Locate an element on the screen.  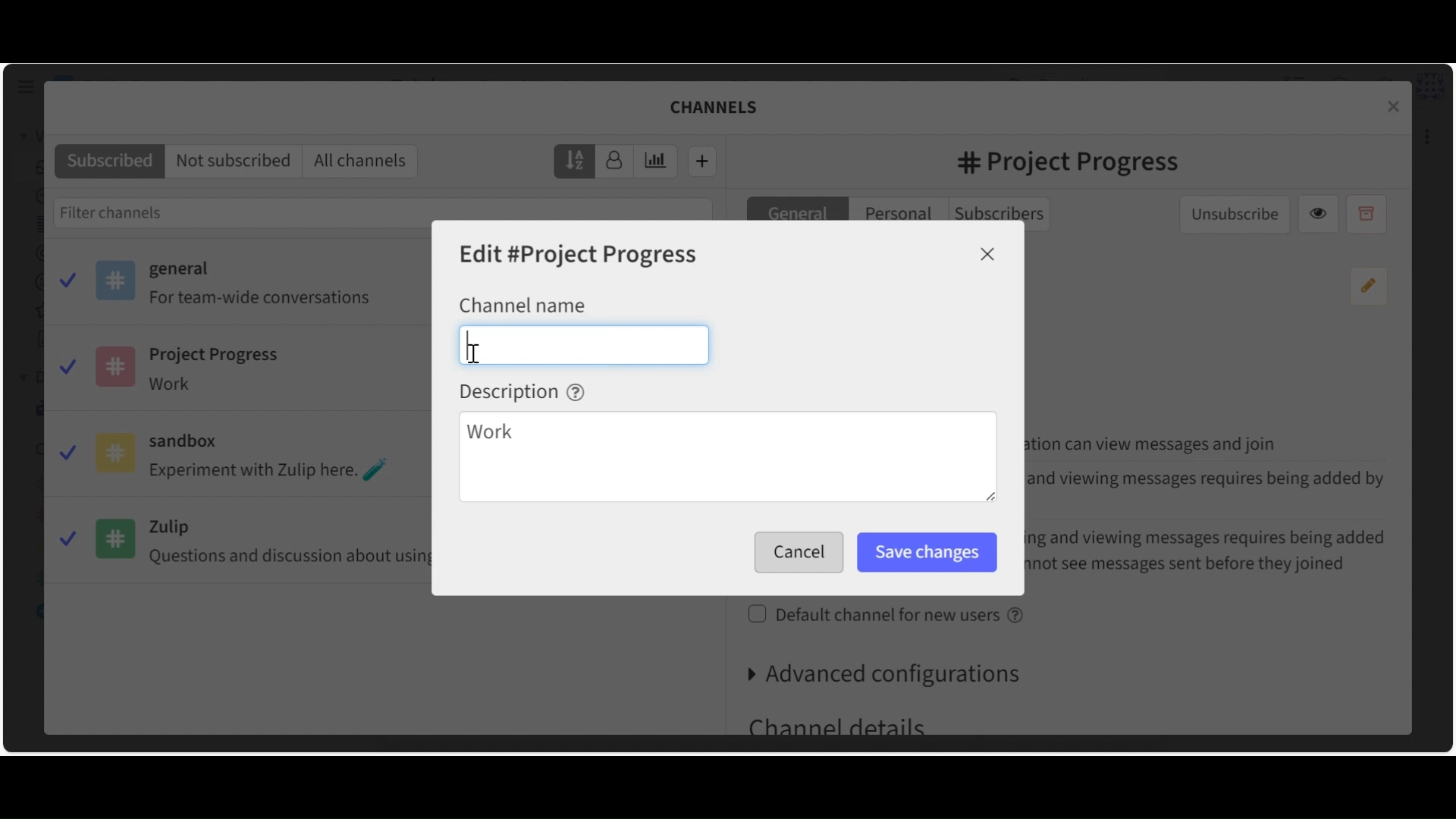
Edit Channel is located at coordinates (580, 256).